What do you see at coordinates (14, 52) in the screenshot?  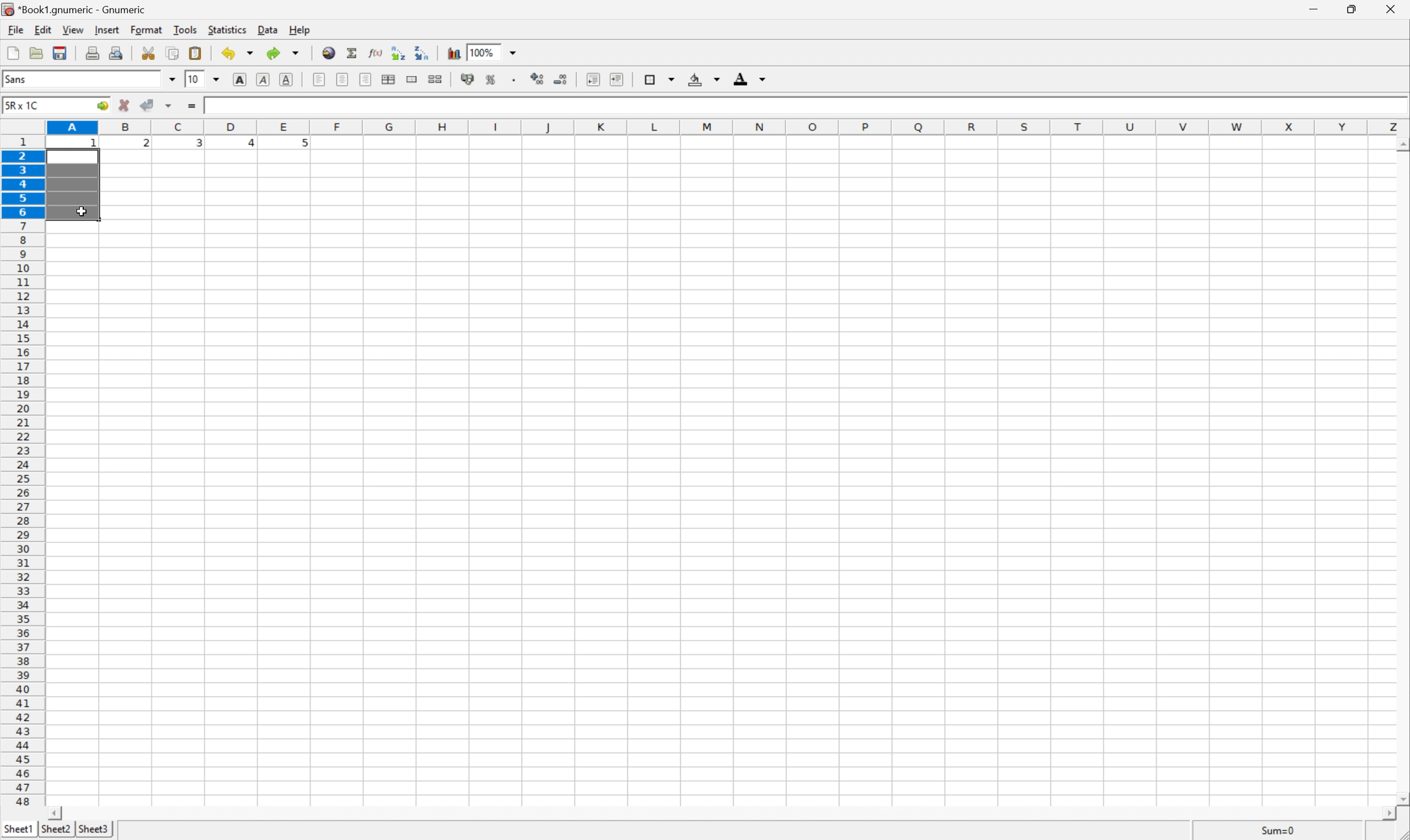 I see `new` at bounding box center [14, 52].